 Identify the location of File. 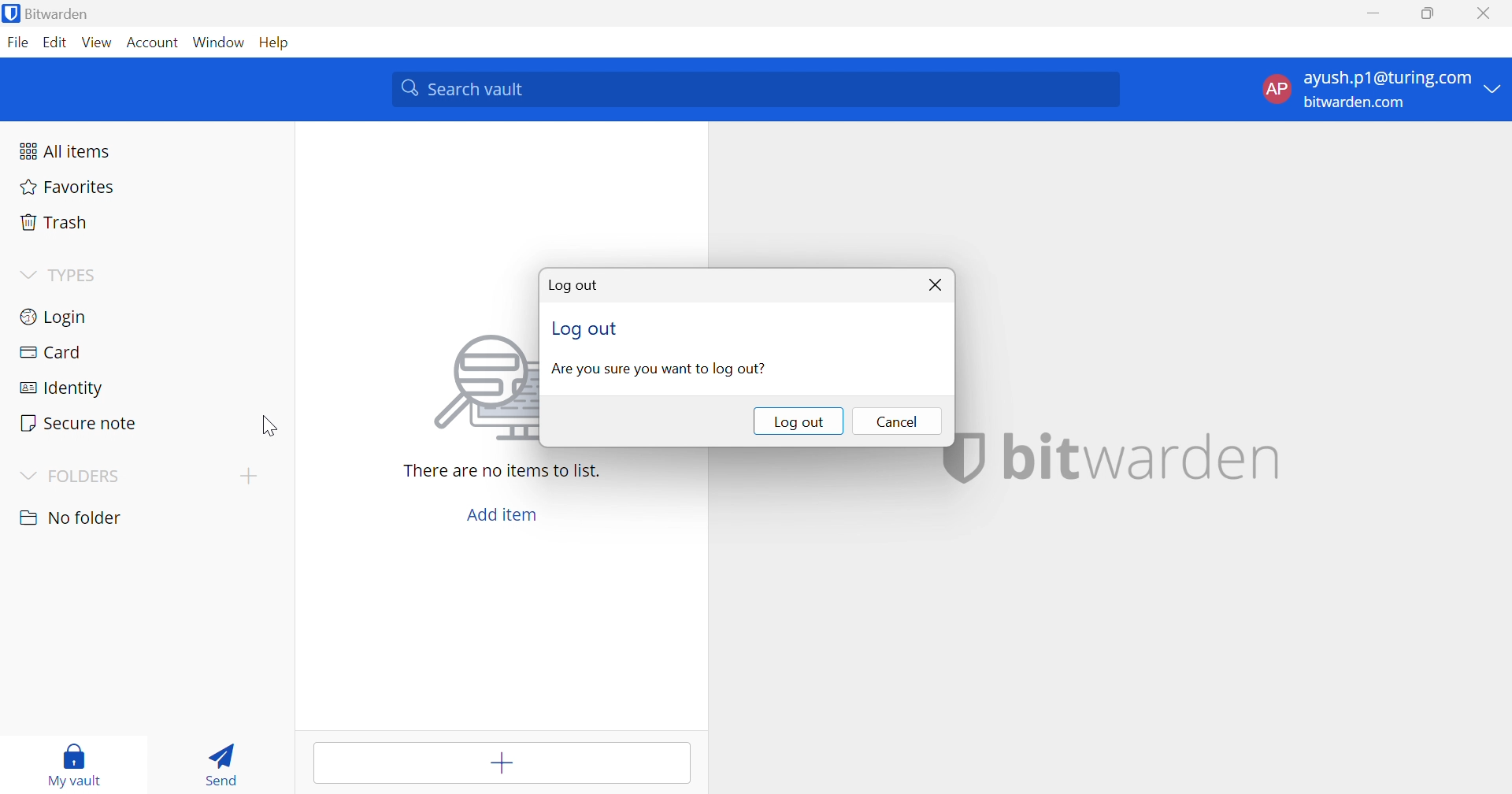
(17, 43).